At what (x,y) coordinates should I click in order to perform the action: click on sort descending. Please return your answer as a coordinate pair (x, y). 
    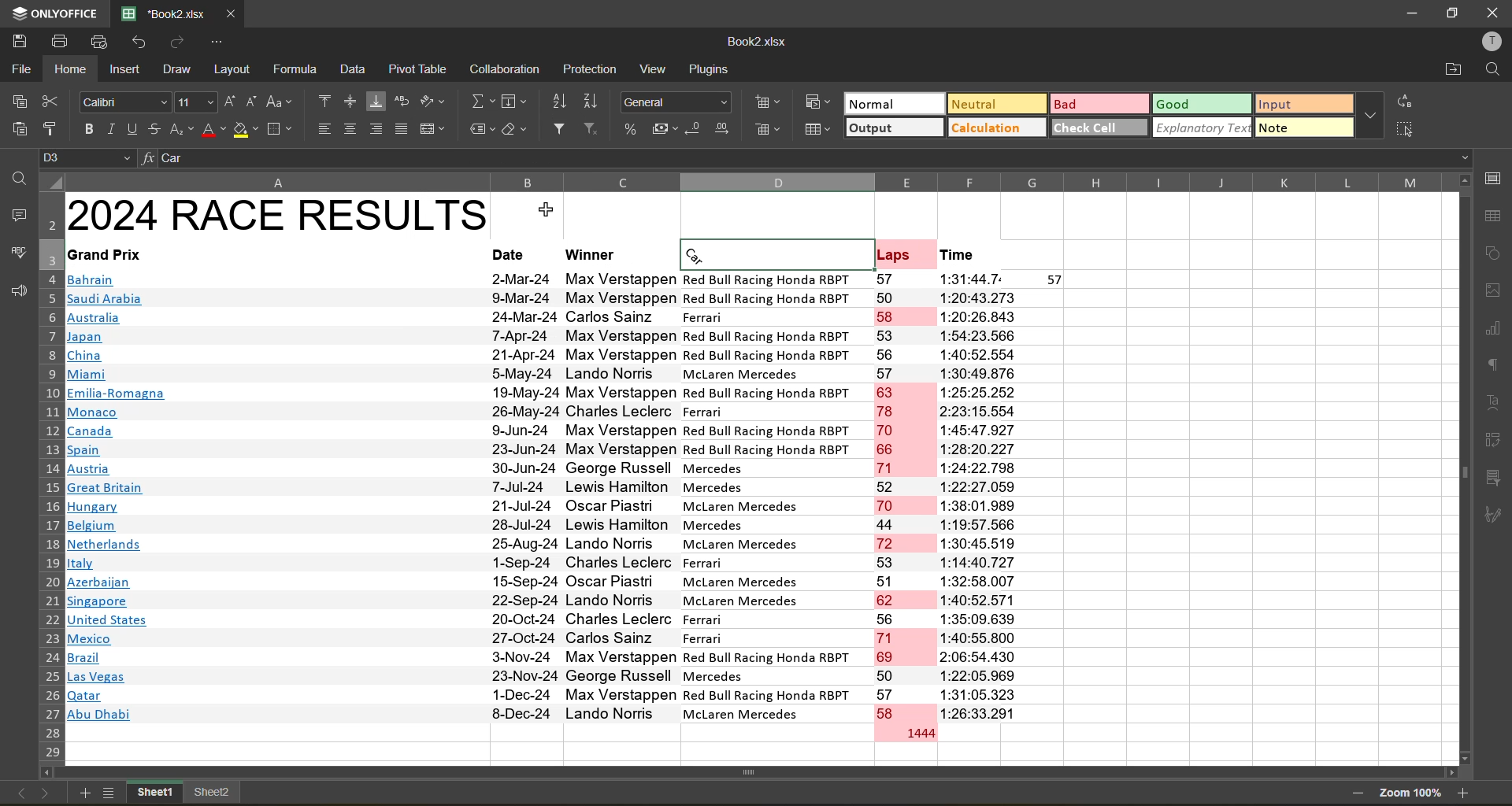
    Looking at the image, I should click on (591, 99).